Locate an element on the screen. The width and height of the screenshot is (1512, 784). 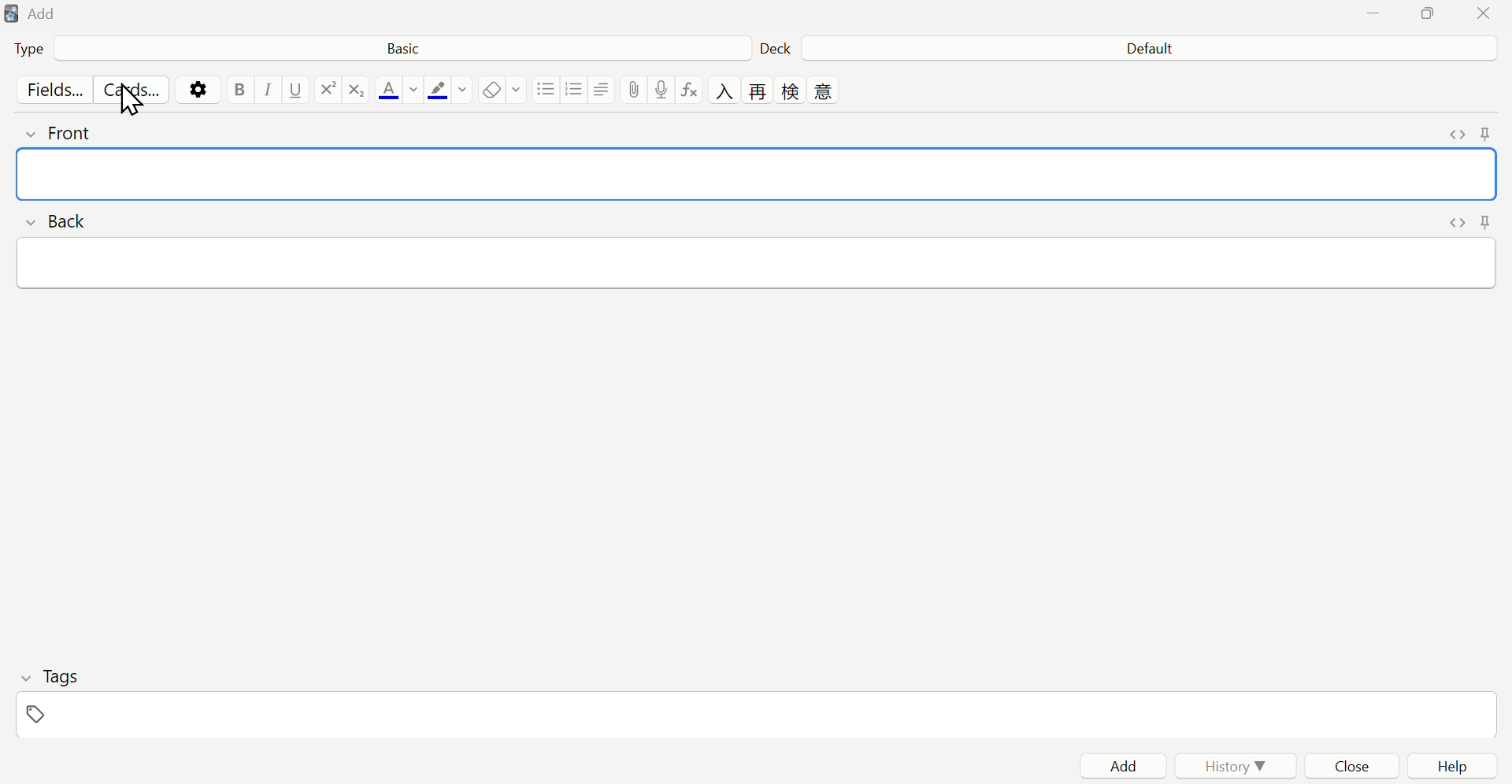
Super script is located at coordinates (328, 87).